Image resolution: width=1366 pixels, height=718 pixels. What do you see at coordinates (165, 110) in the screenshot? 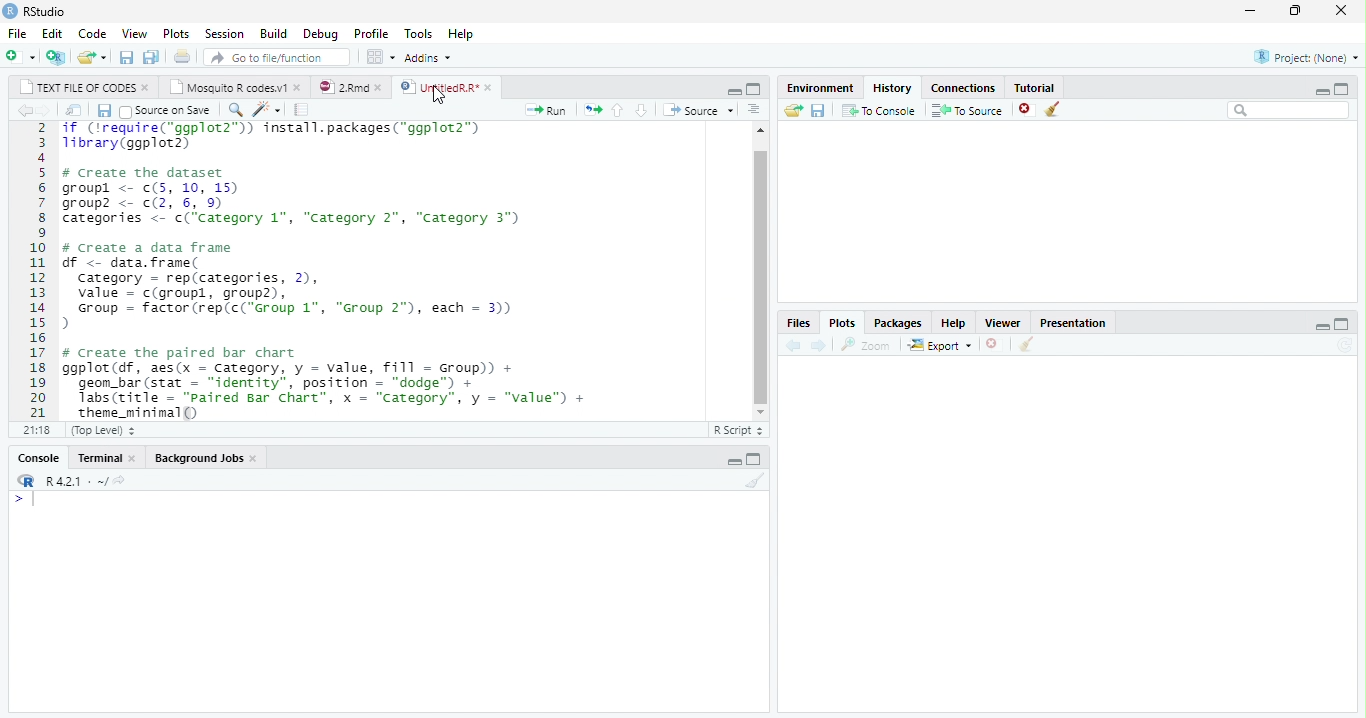
I see `source on save` at bounding box center [165, 110].